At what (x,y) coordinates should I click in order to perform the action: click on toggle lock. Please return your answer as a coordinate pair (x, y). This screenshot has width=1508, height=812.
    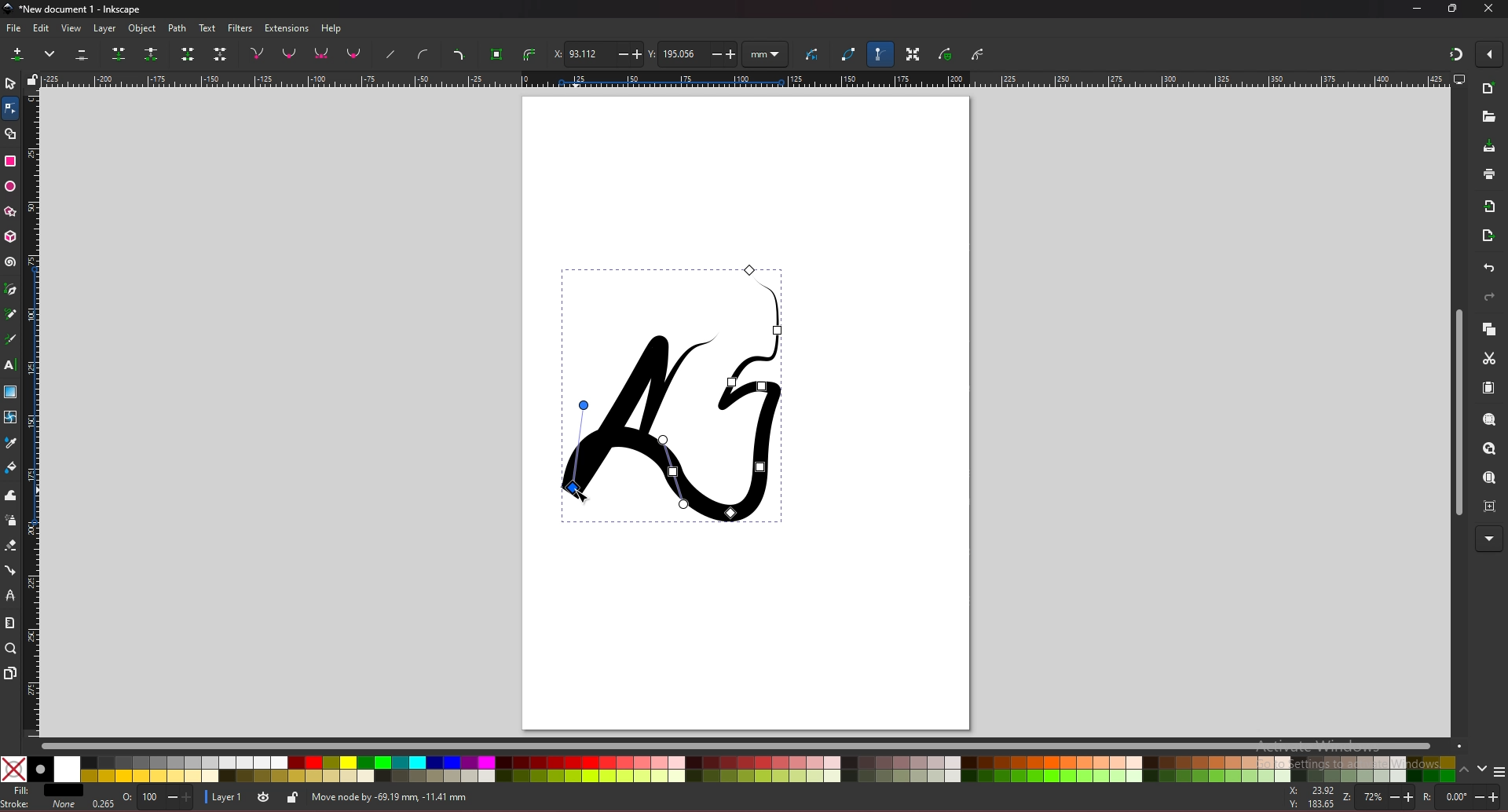
    Looking at the image, I should click on (294, 797).